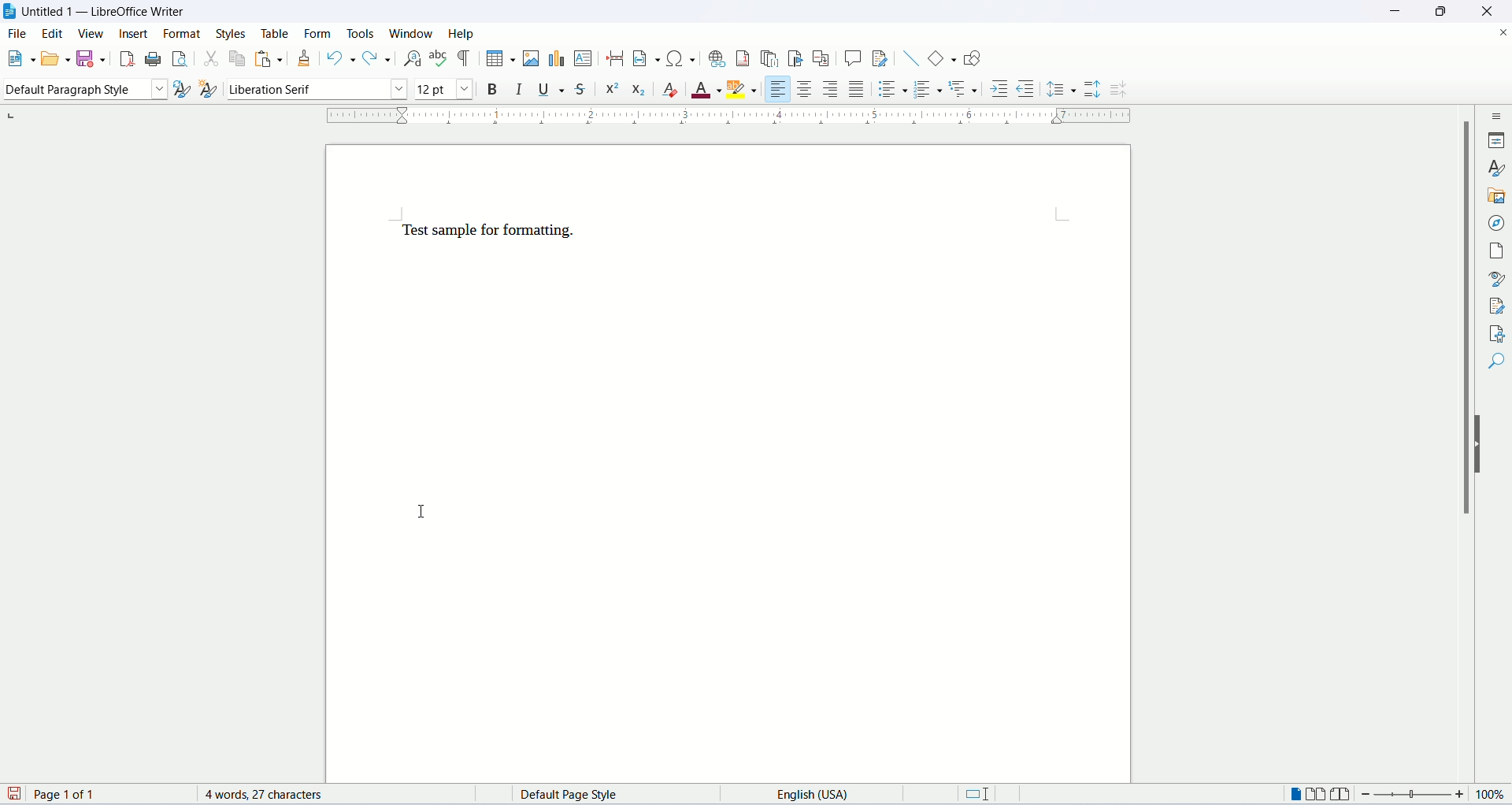 Image resolution: width=1512 pixels, height=805 pixels. I want to click on insert special character, so click(678, 58).